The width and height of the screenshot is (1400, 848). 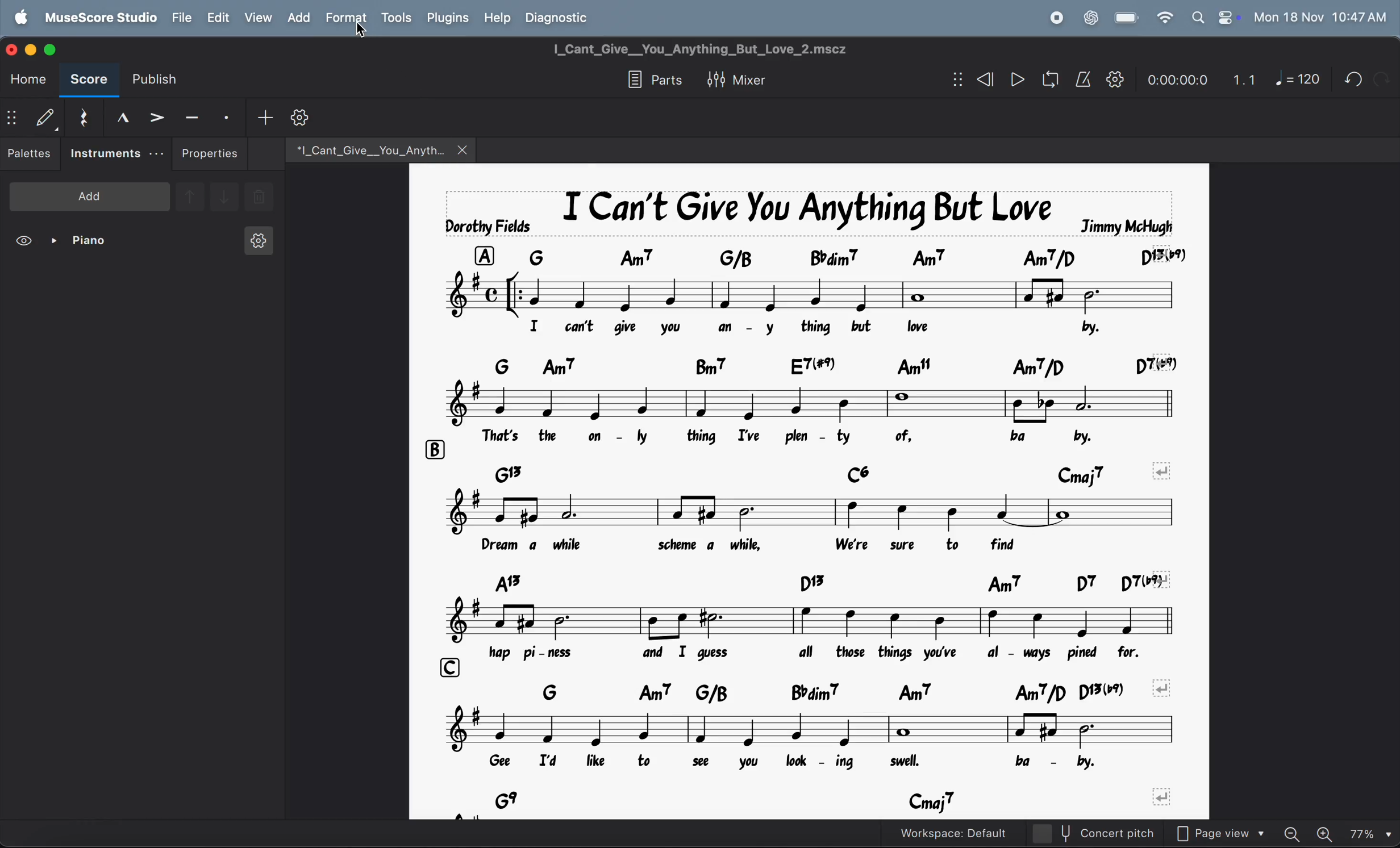 What do you see at coordinates (651, 81) in the screenshot?
I see `parts` at bounding box center [651, 81].